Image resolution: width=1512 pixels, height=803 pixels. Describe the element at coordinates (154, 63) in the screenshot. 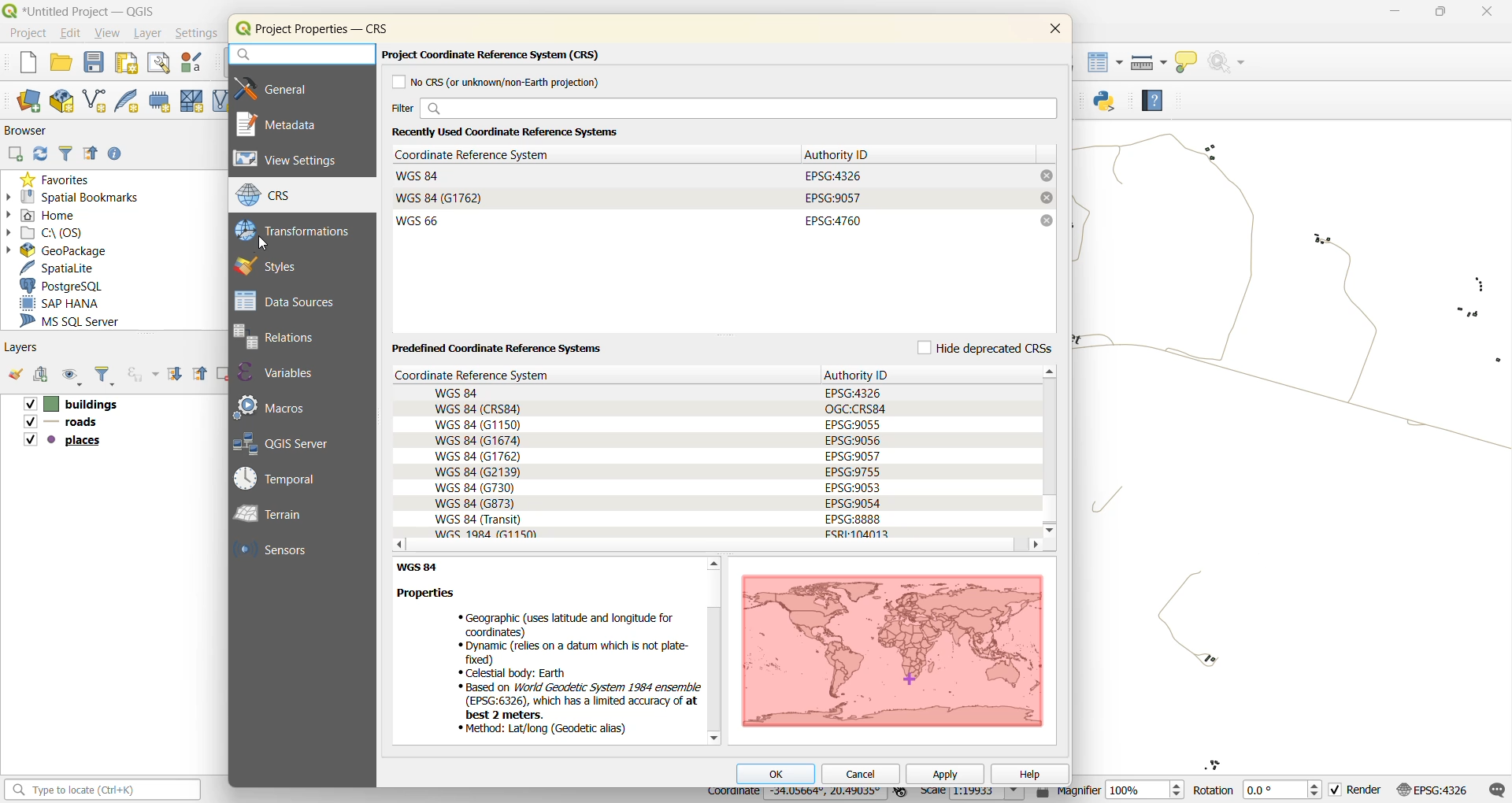

I see `show layout` at that location.